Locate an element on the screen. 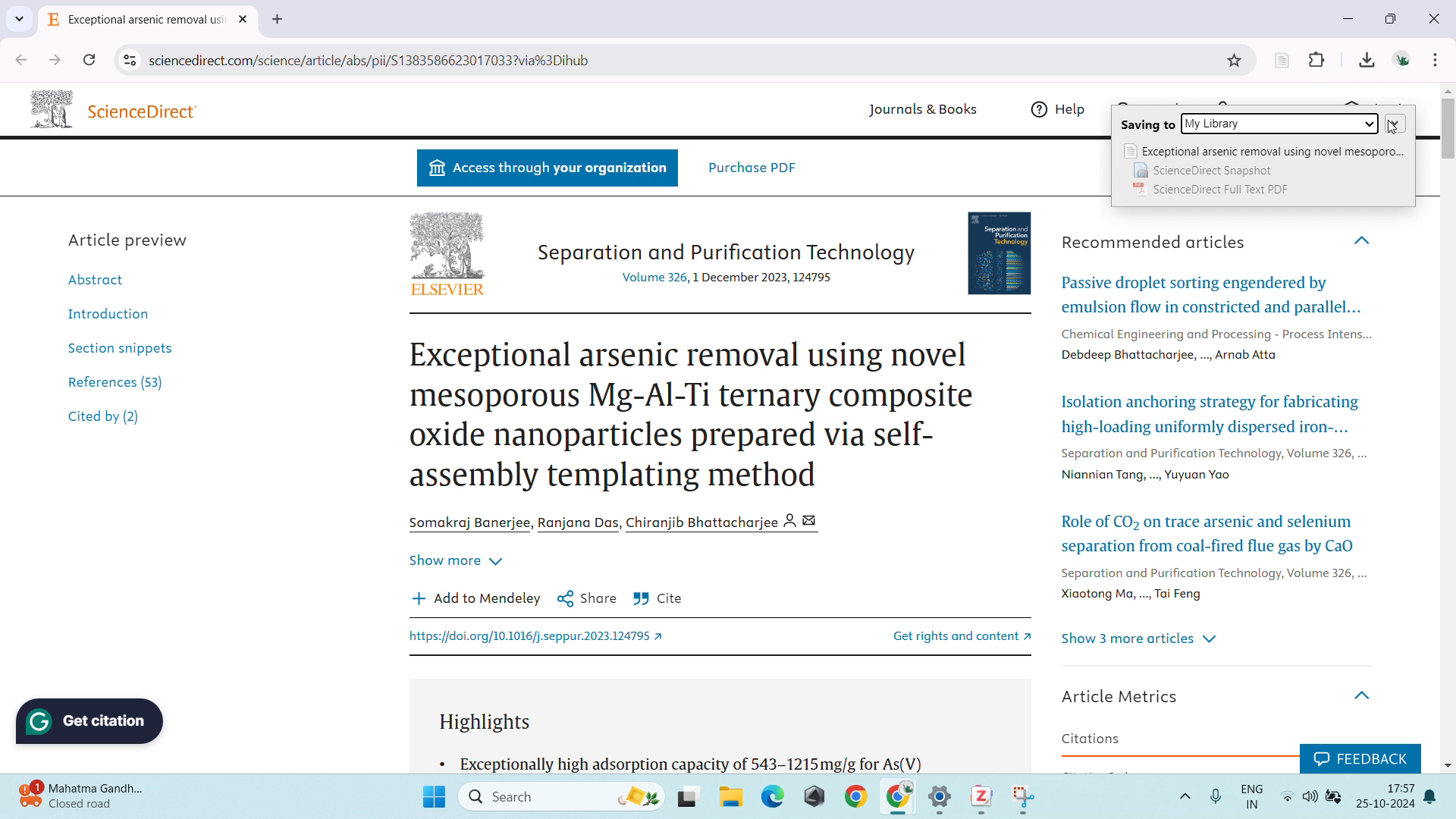  new tab is located at coordinates (278, 20).